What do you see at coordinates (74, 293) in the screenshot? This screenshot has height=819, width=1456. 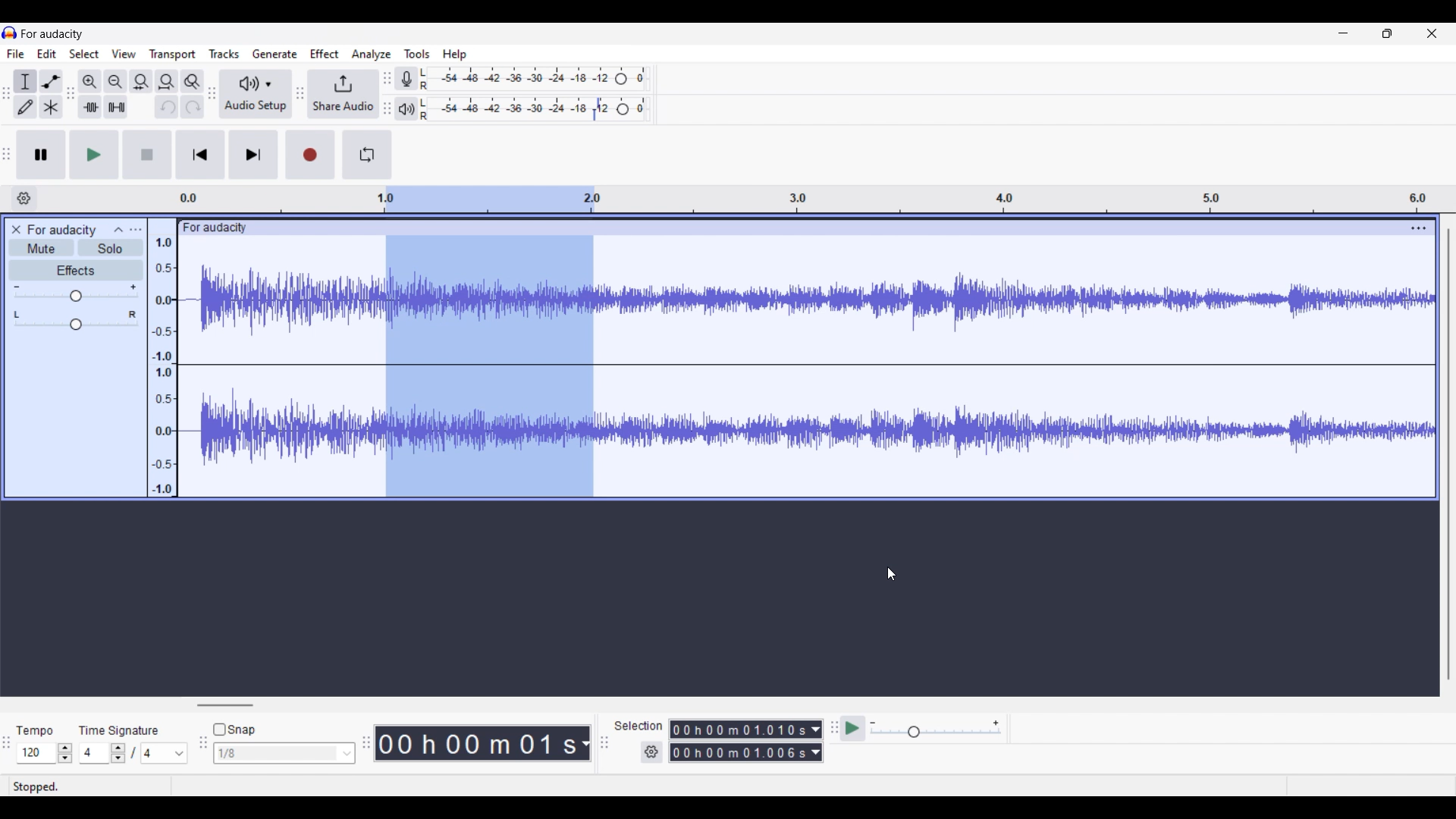 I see `Volume scale` at bounding box center [74, 293].